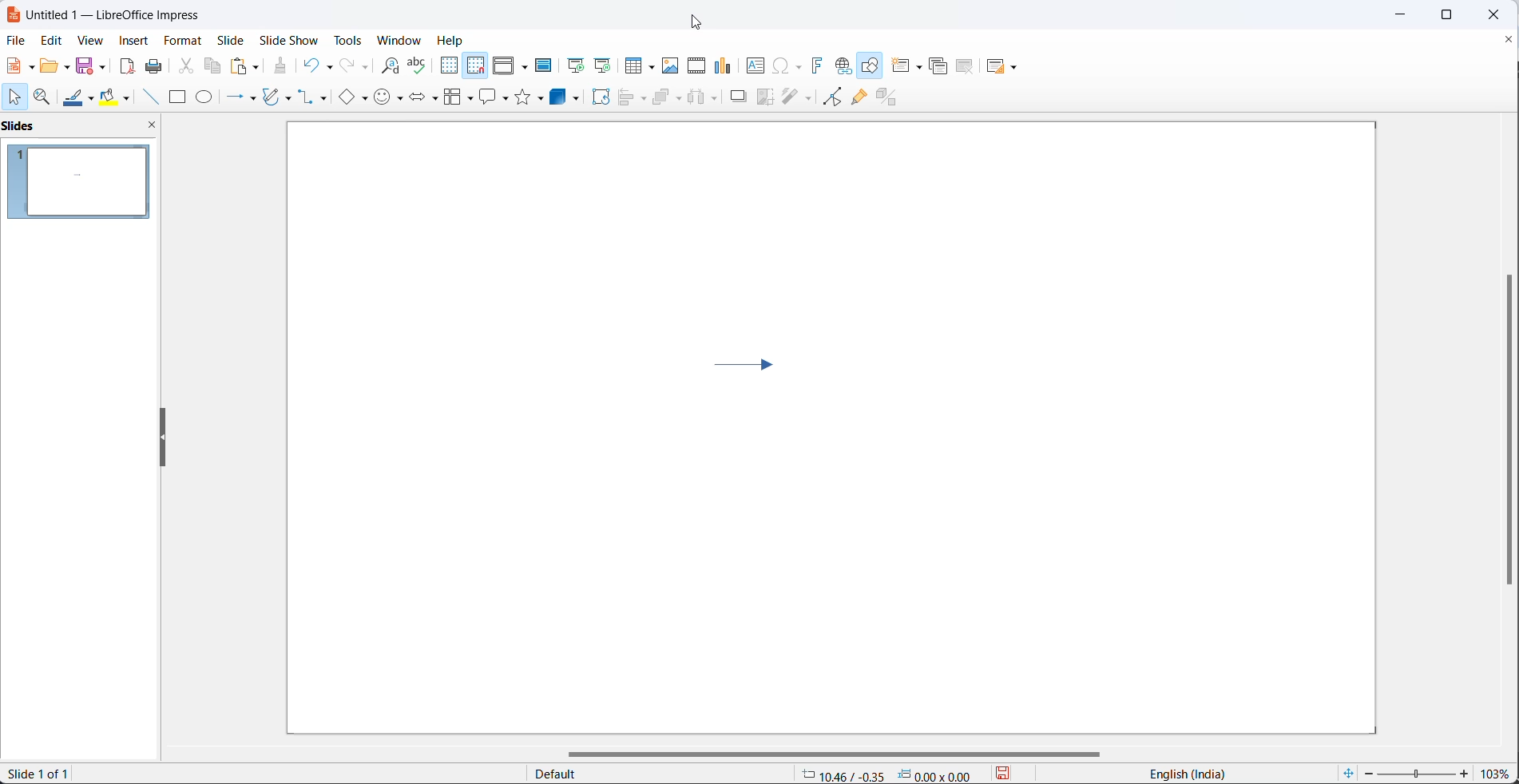 The width and height of the screenshot is (1519, 784). What do you see at coordinates (858, 97) in the screenshot?
I see `show gluepoint function` at bounding box center [858, 97].